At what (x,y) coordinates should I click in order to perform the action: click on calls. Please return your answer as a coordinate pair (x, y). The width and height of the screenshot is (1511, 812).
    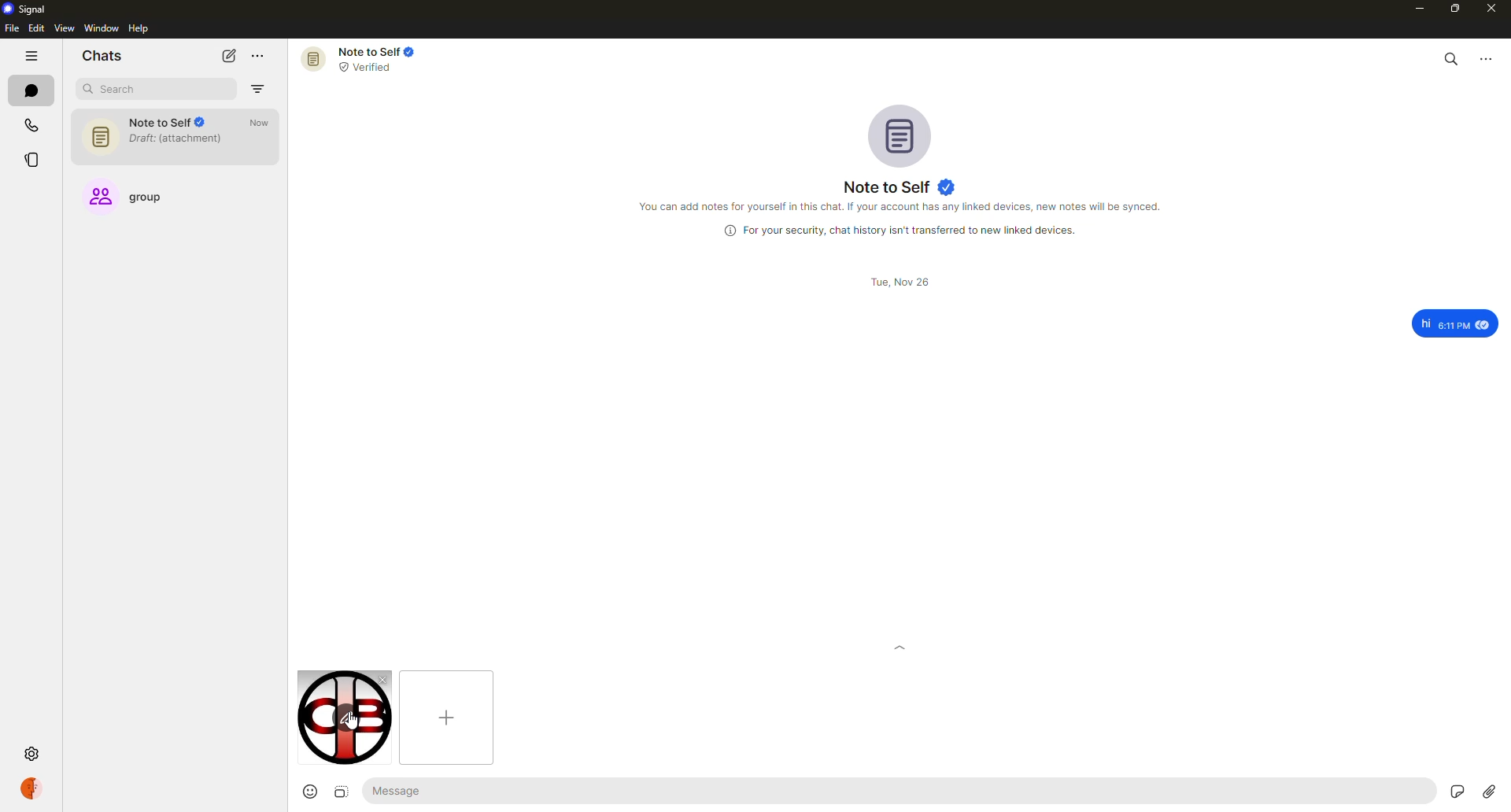
    Looking at the image, I should click on (30, 124).